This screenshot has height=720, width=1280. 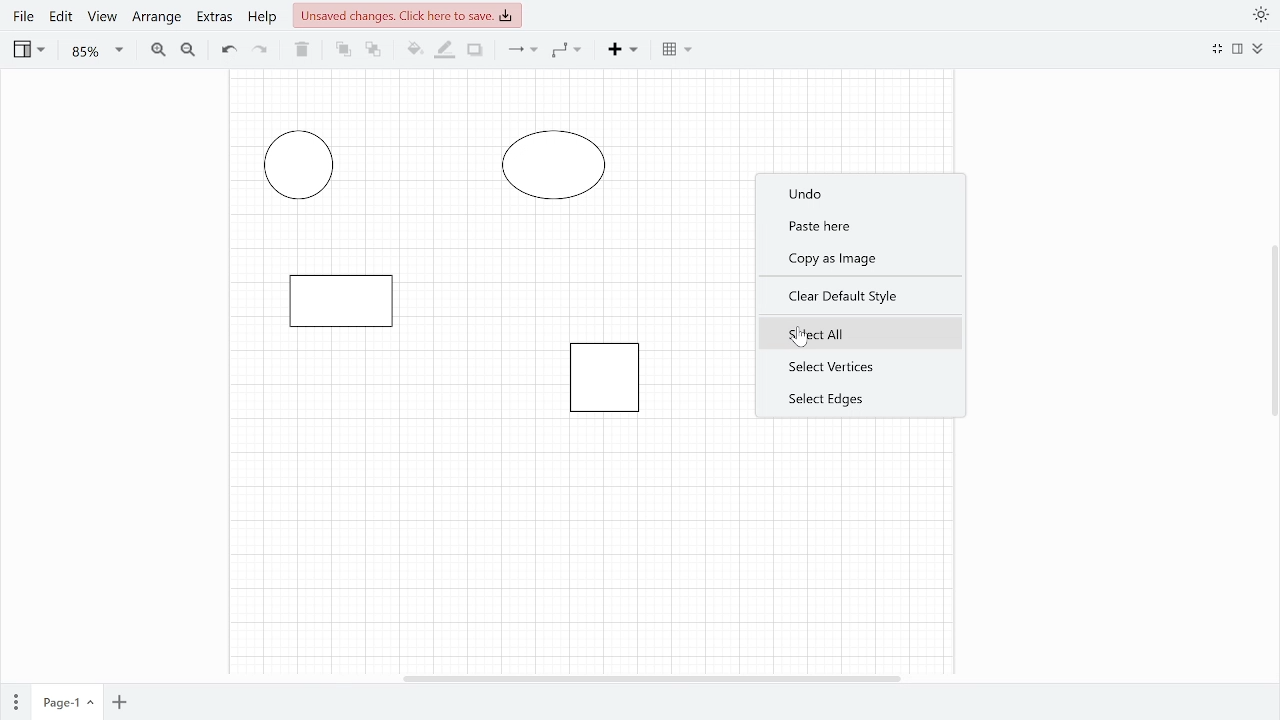 I want to click on Zoom out, so click(x=187, y=52).